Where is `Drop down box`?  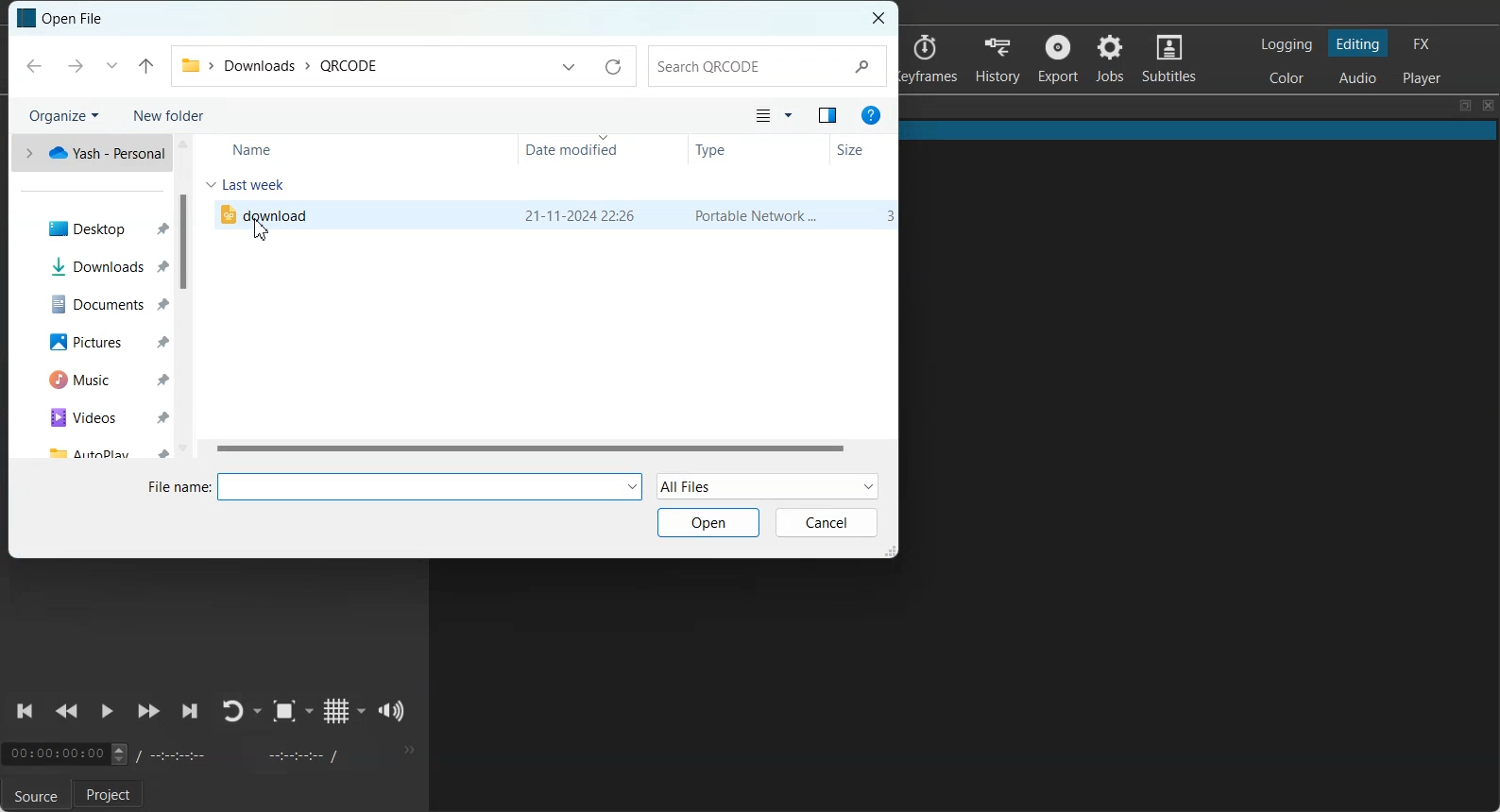
Drop down box is located at coordinates (259, 711).